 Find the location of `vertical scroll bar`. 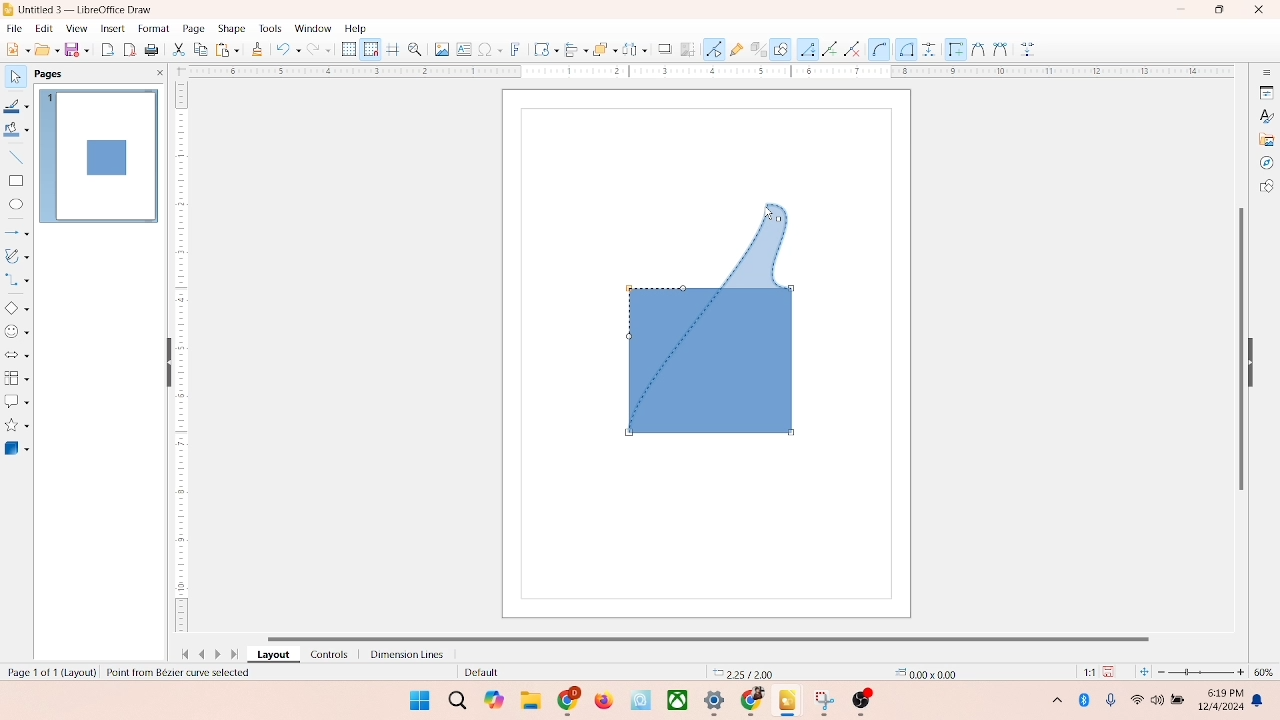

vertical scroll bar is located at coordinates (1239, 347).